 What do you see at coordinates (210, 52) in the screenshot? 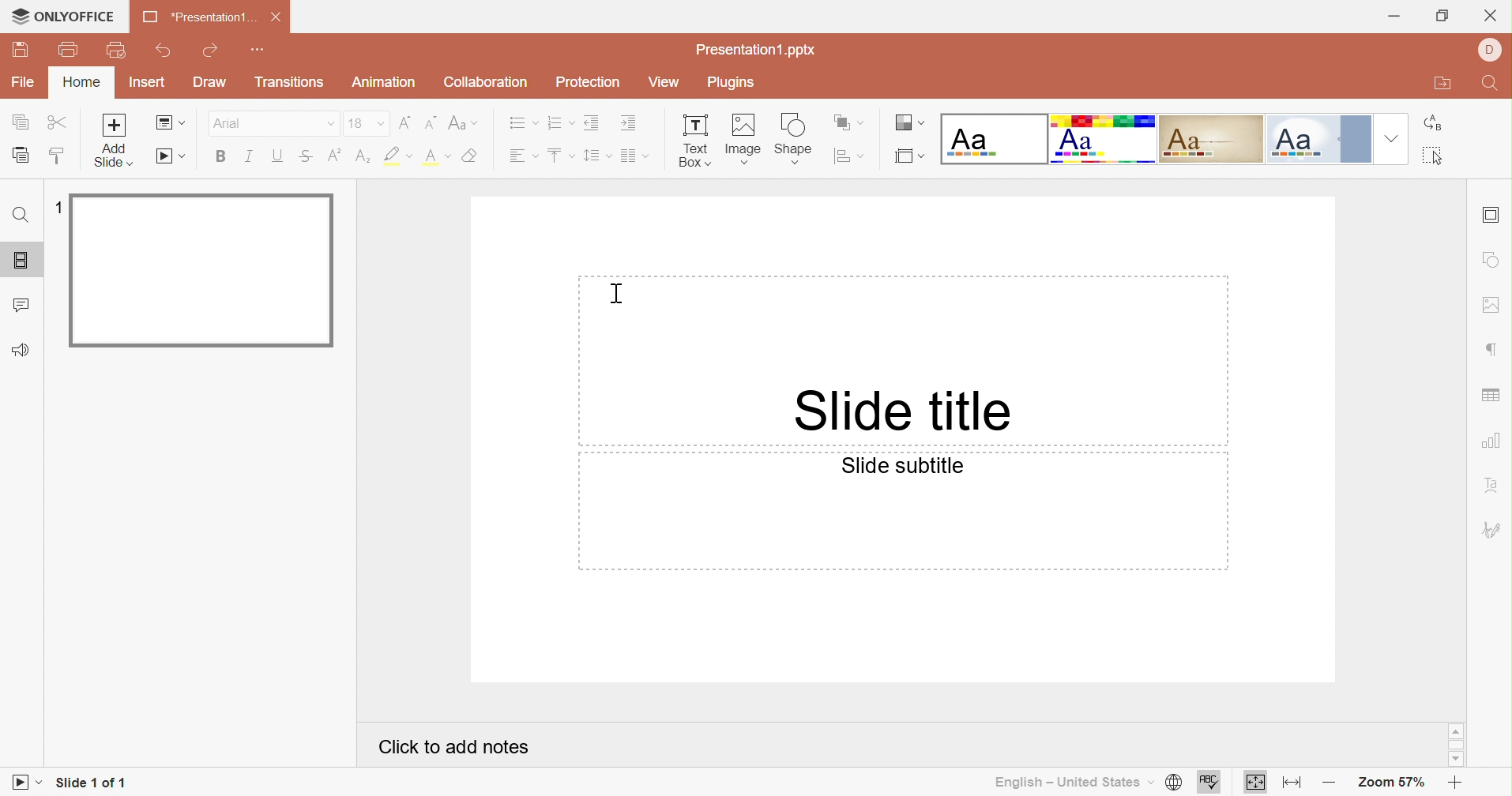
I see `Redo` at bounding box center [210, 52].